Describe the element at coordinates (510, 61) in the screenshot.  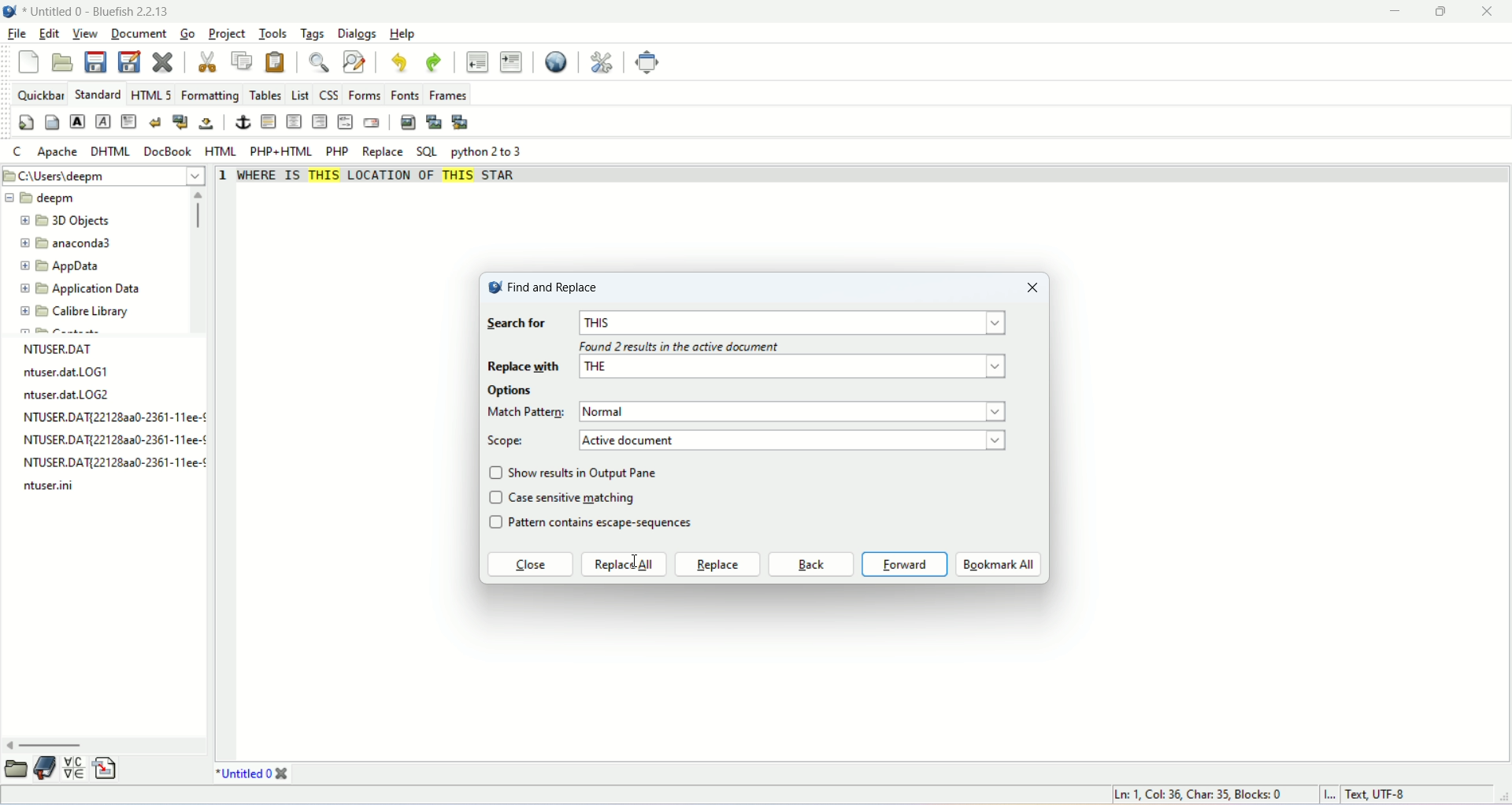
I see `indent` at that location.